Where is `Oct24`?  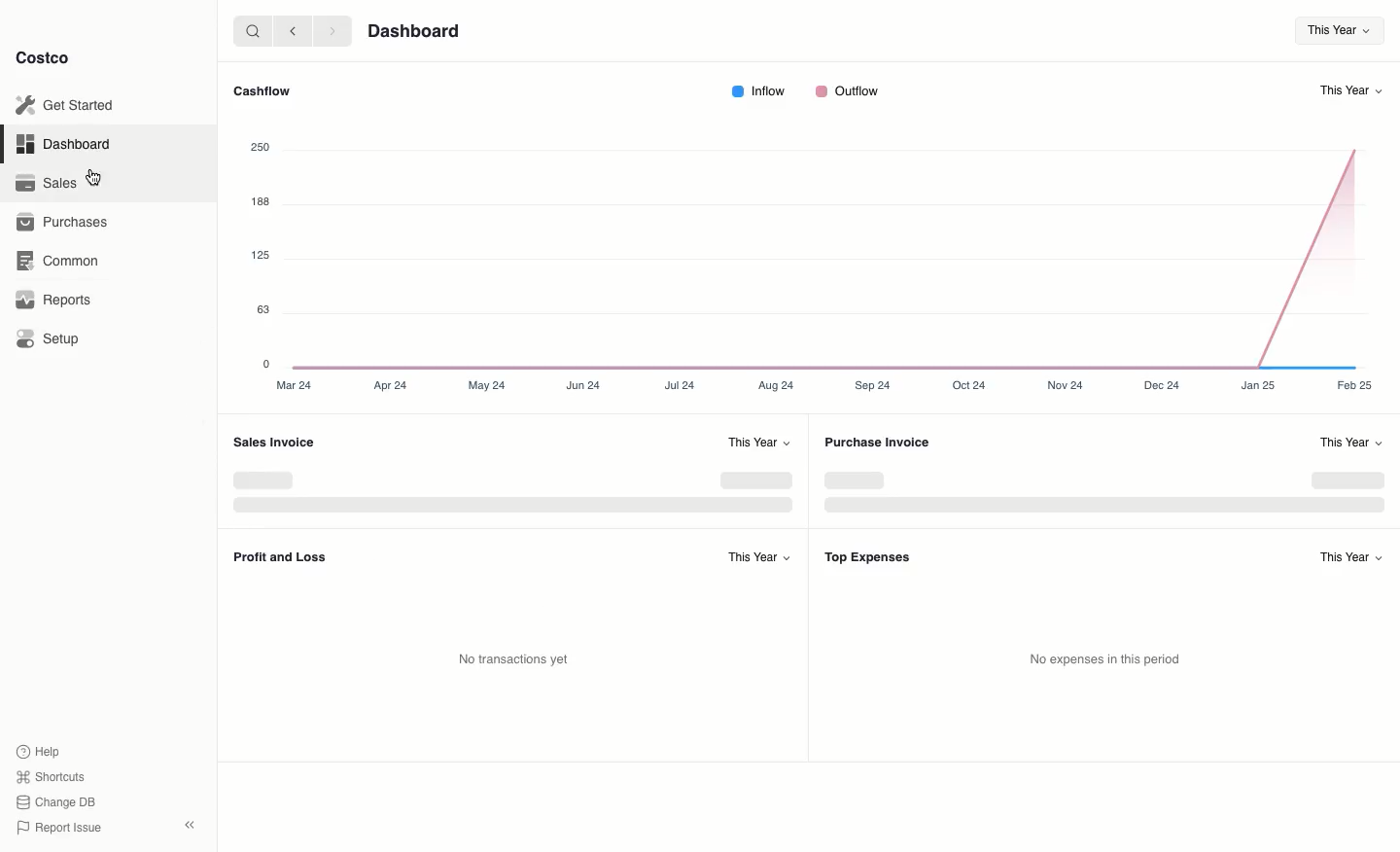 Oct24 is located at coordinates (969, 387).